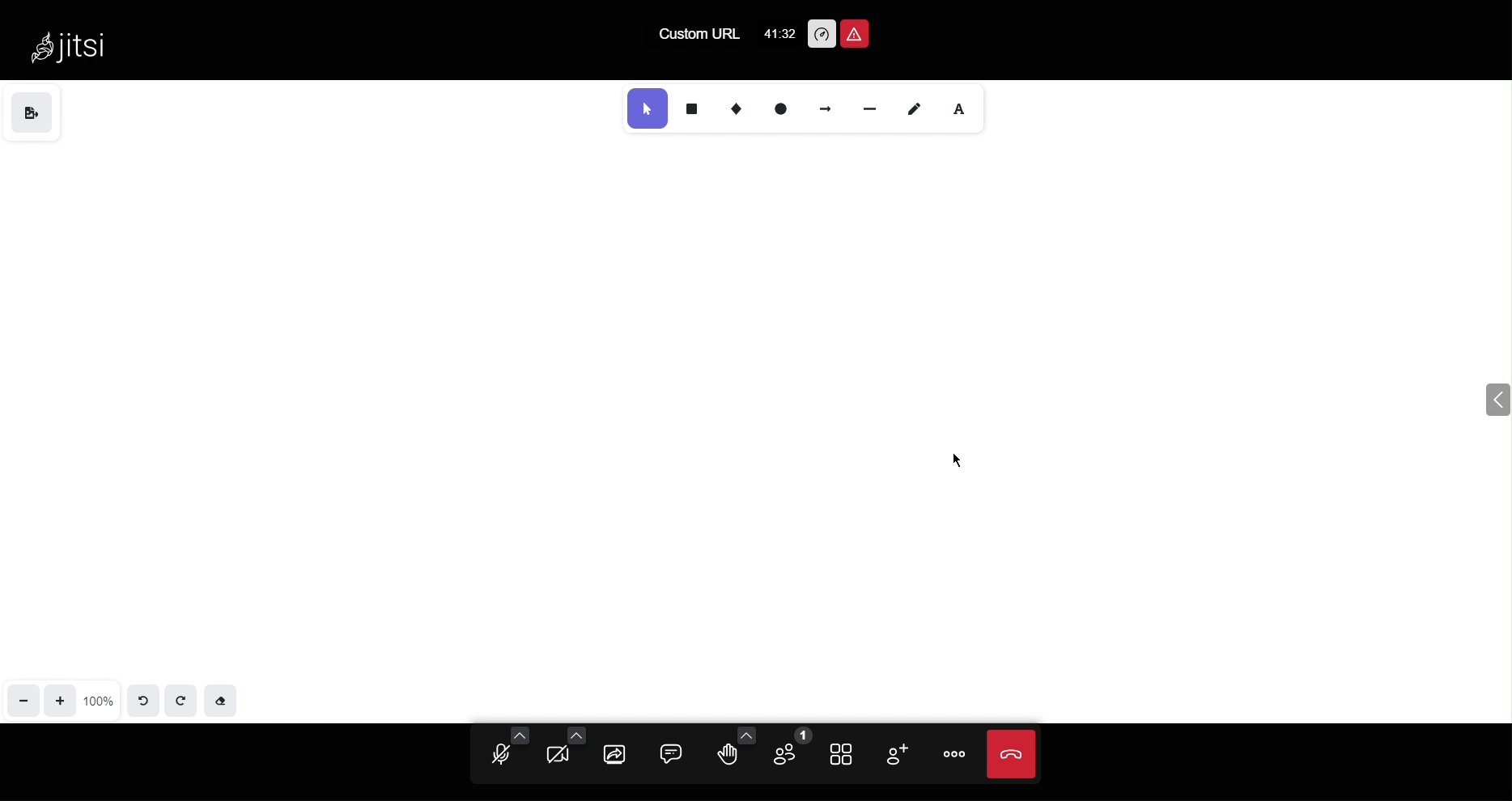 The image size is (1512, 801). I want to click on Diamond, so click(736, 108).